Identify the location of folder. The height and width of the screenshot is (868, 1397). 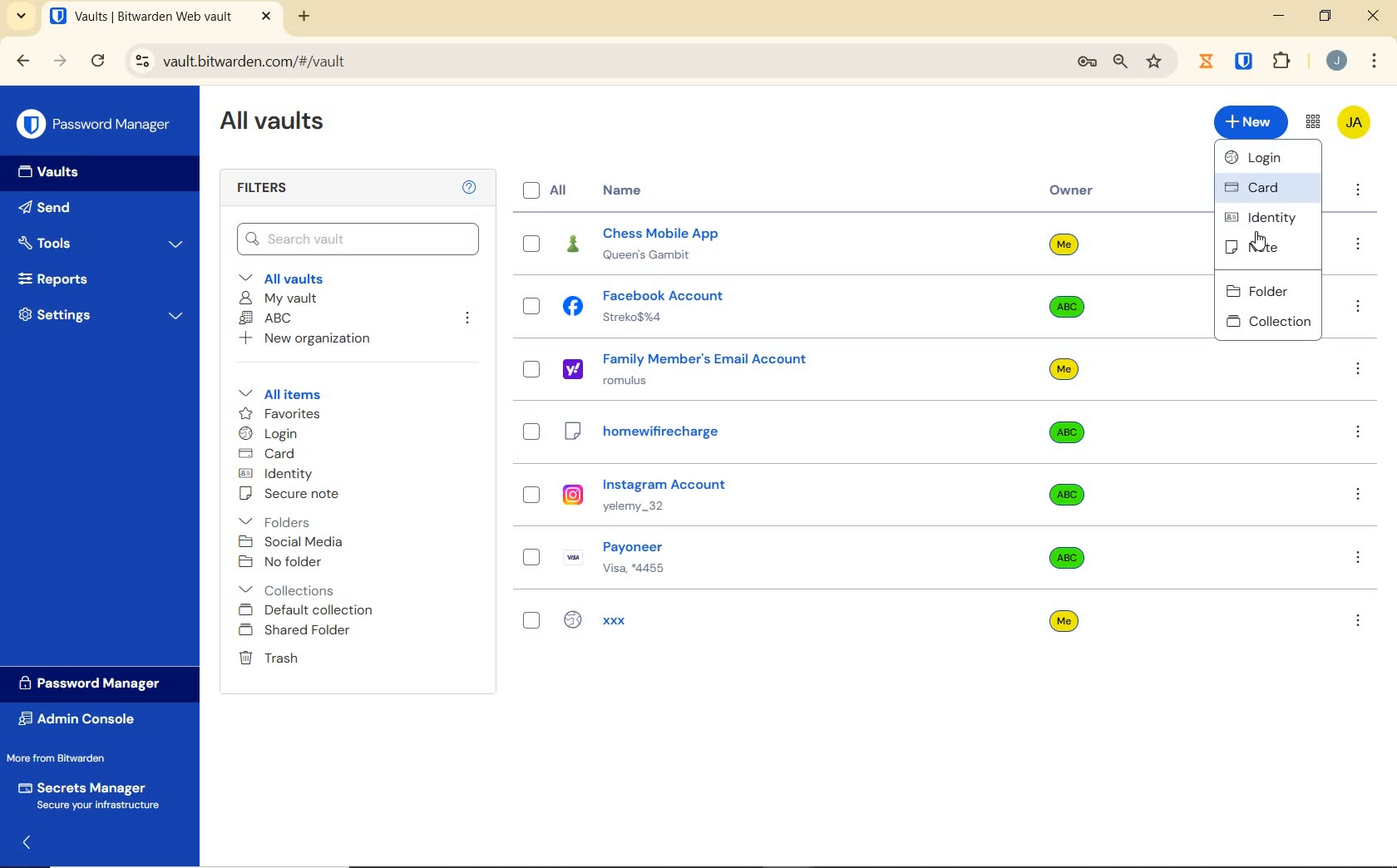
(1268, 287).